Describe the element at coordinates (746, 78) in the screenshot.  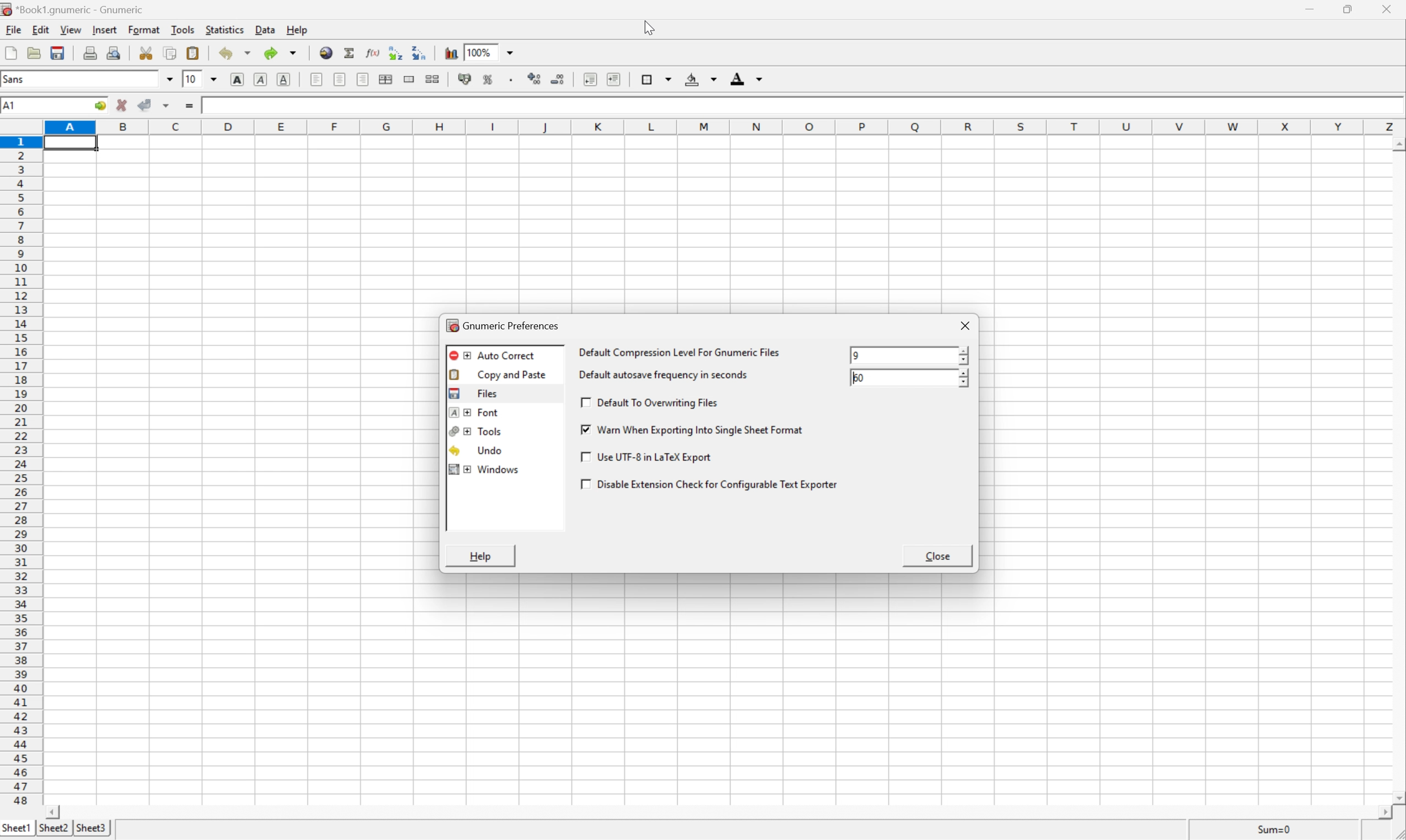
I see `foreground color` at that location.